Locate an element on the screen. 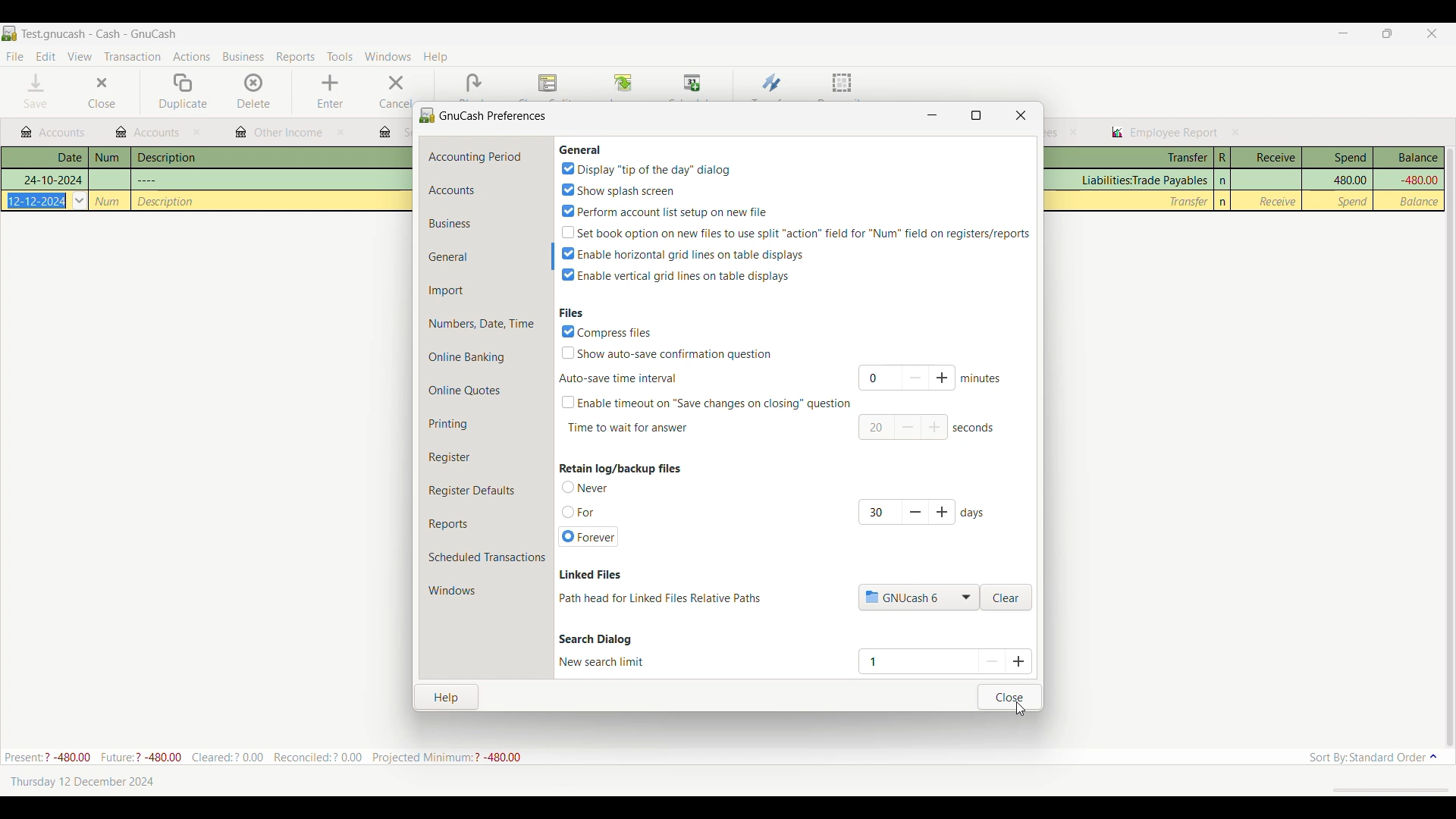 The height and width of the screenshot is (819, 1456). R column is located at coordinates (1222, 158).